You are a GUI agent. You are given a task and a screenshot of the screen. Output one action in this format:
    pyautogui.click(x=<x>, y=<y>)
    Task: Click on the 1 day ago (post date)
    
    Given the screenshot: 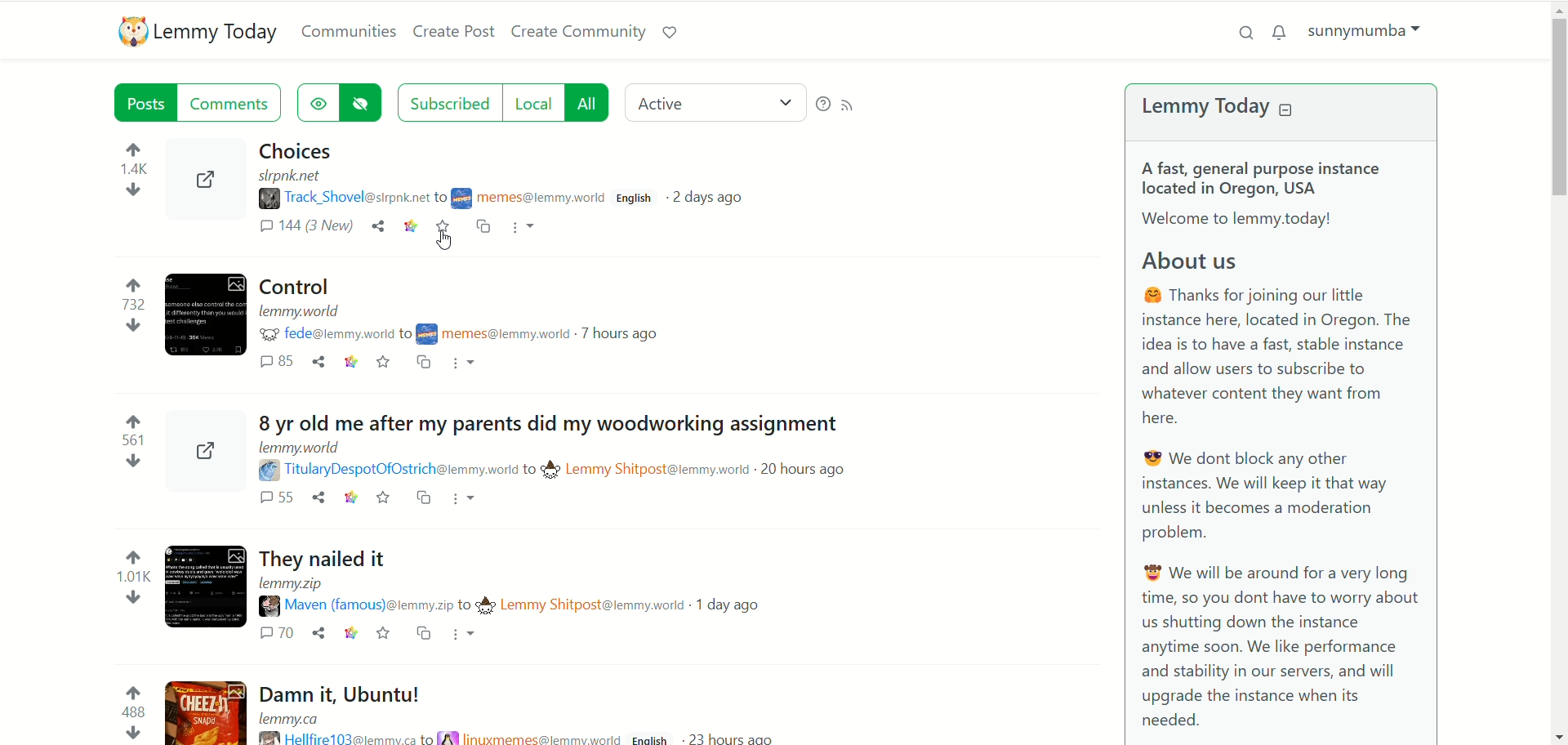 What is the action you would take?
    pyautogui.click(x=735, y=605)
    